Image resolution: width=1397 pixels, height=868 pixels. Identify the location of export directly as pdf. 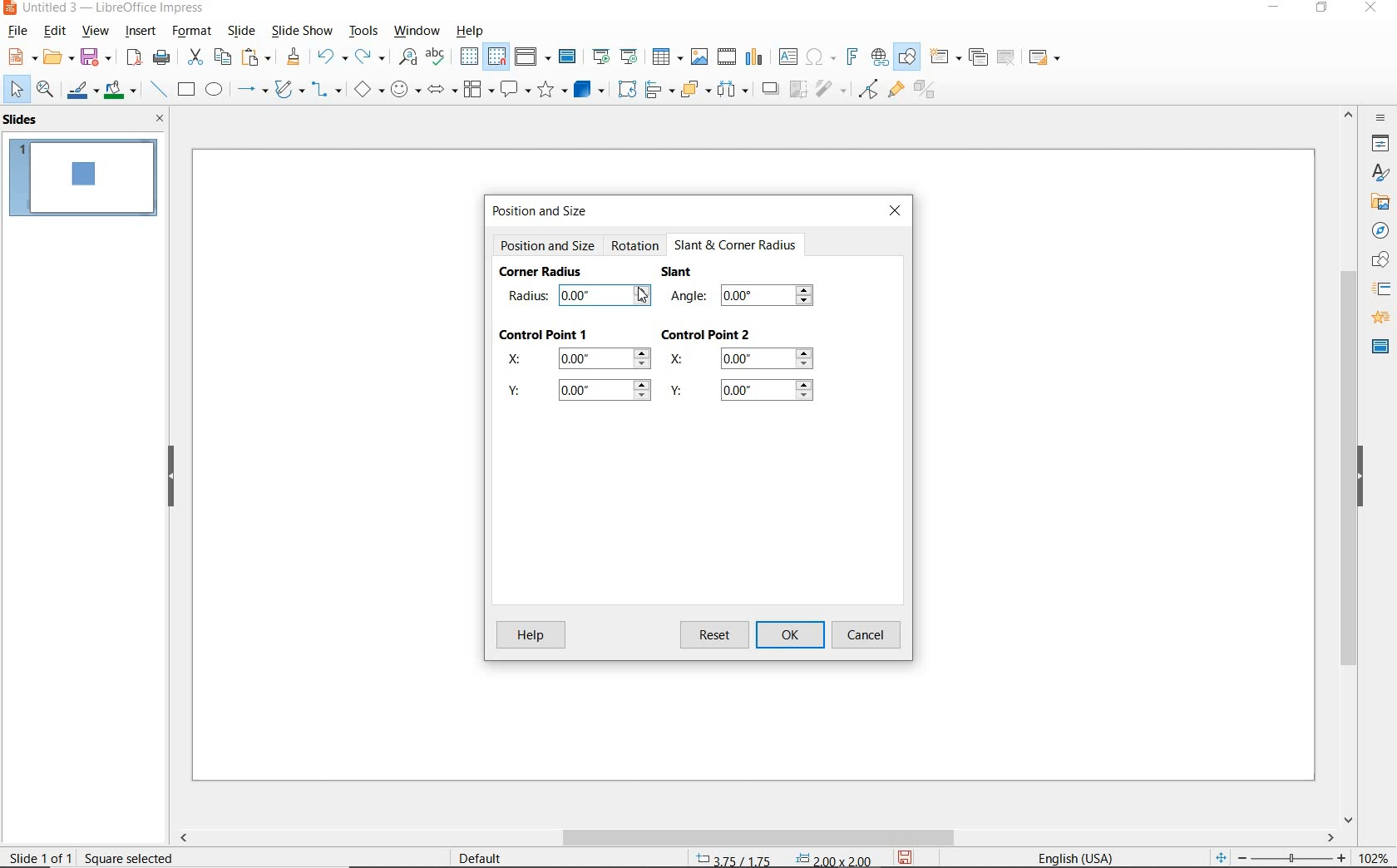
(135, 58).